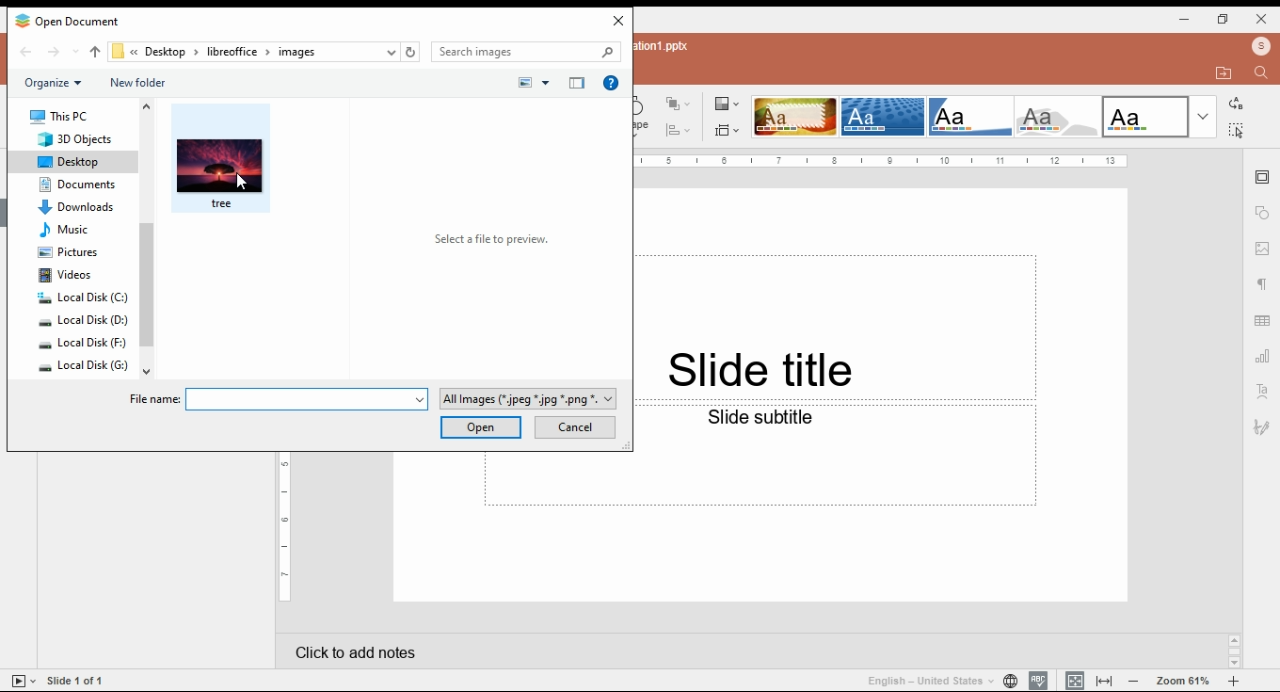  What do you see at coordinates (479, 428) in the screenshot?
I see `open` at bounding box center [479, 428].